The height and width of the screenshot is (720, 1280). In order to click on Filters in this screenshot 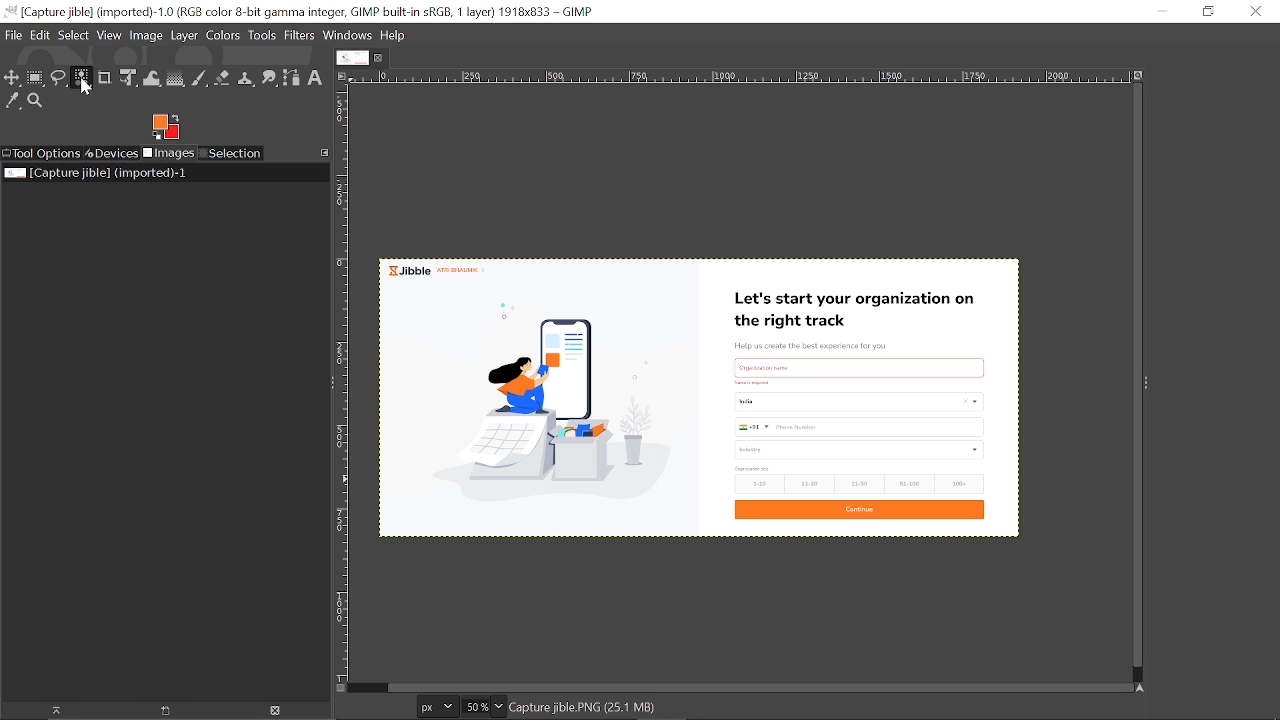, I will do `click(300, 36)`.